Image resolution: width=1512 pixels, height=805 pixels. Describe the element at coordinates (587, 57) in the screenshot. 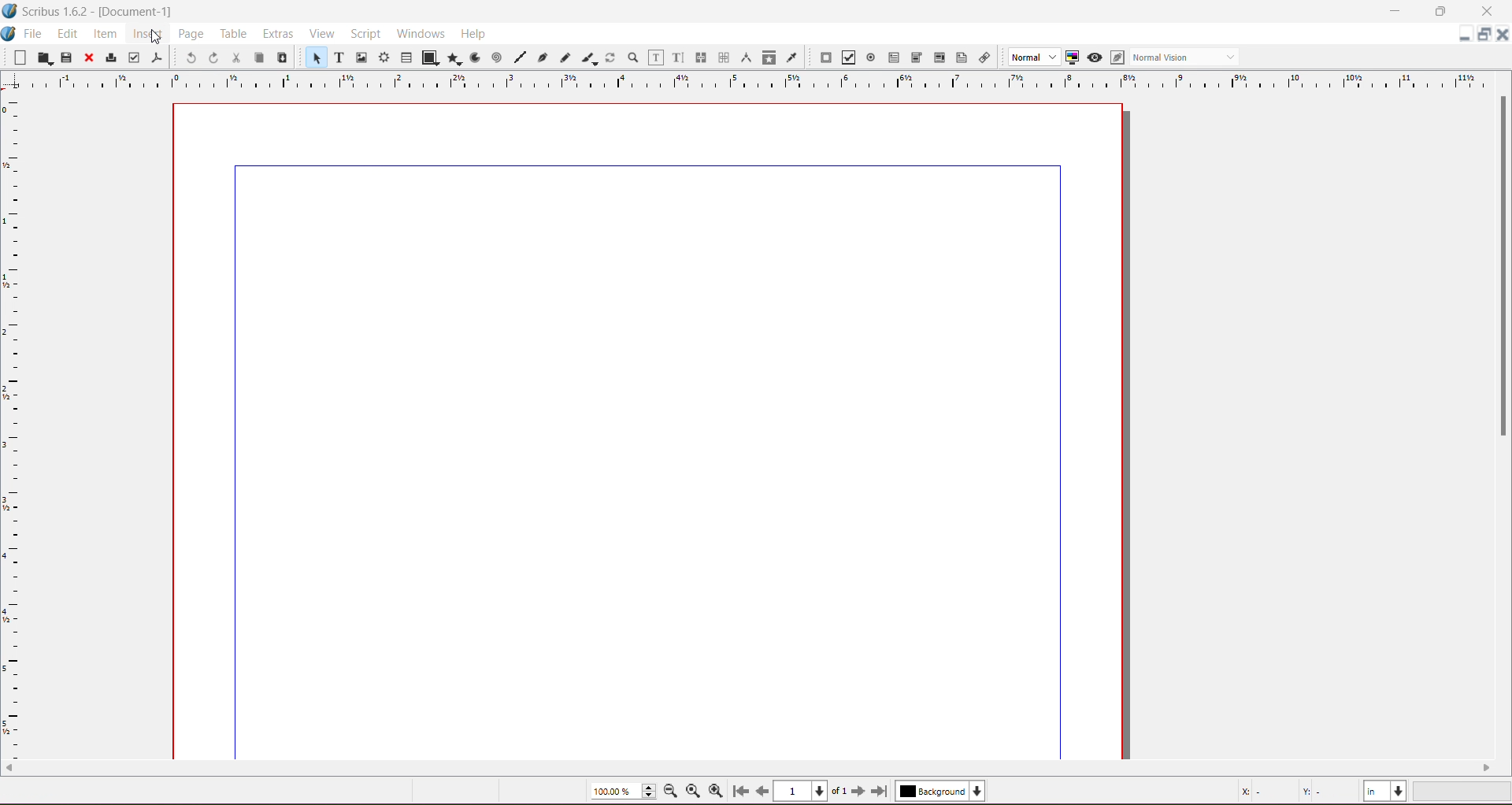

I see `Calligraphic Line` at that location.